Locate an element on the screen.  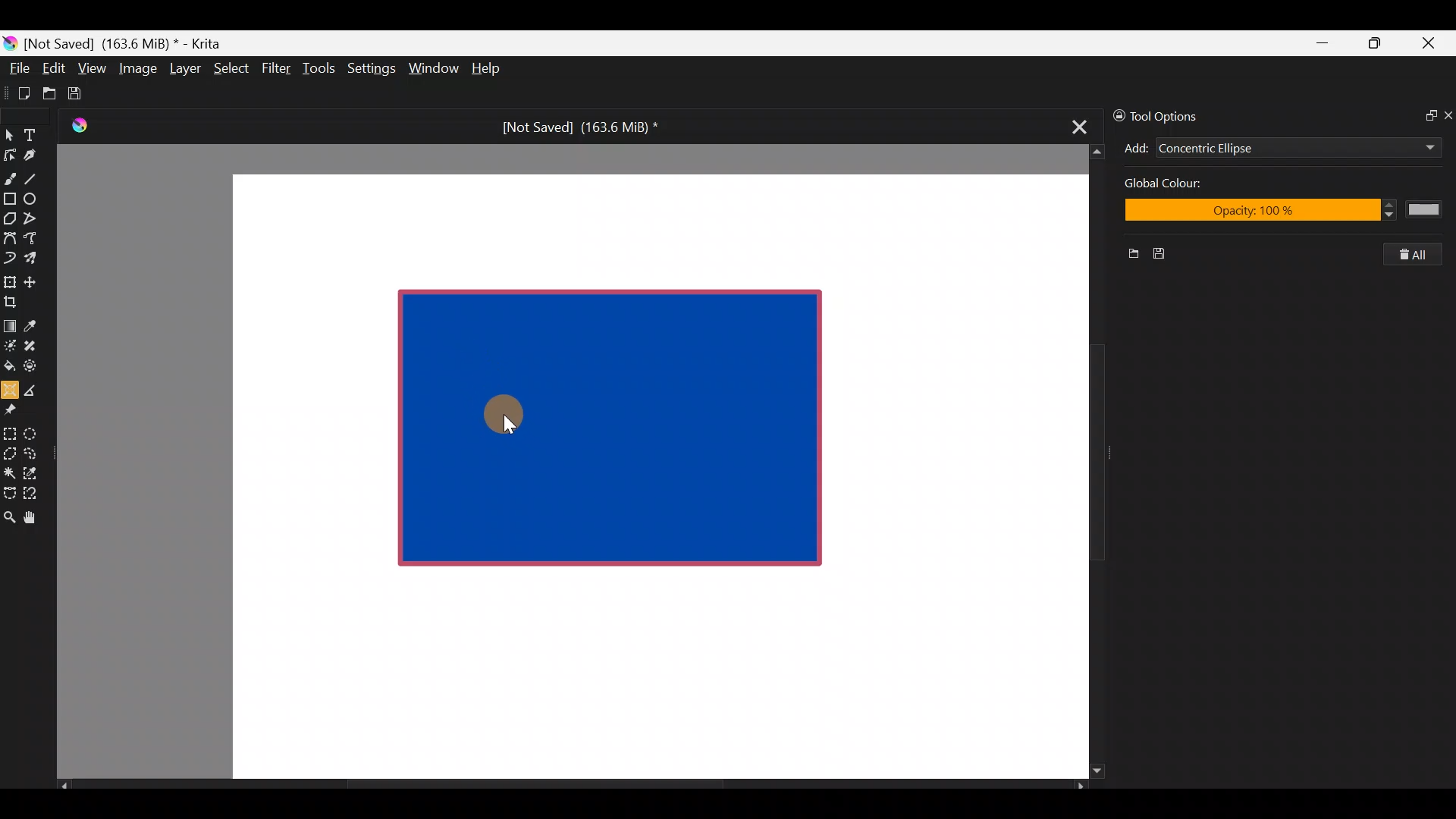
Magnetic curve selection tool is located at coordinates (35, 494).